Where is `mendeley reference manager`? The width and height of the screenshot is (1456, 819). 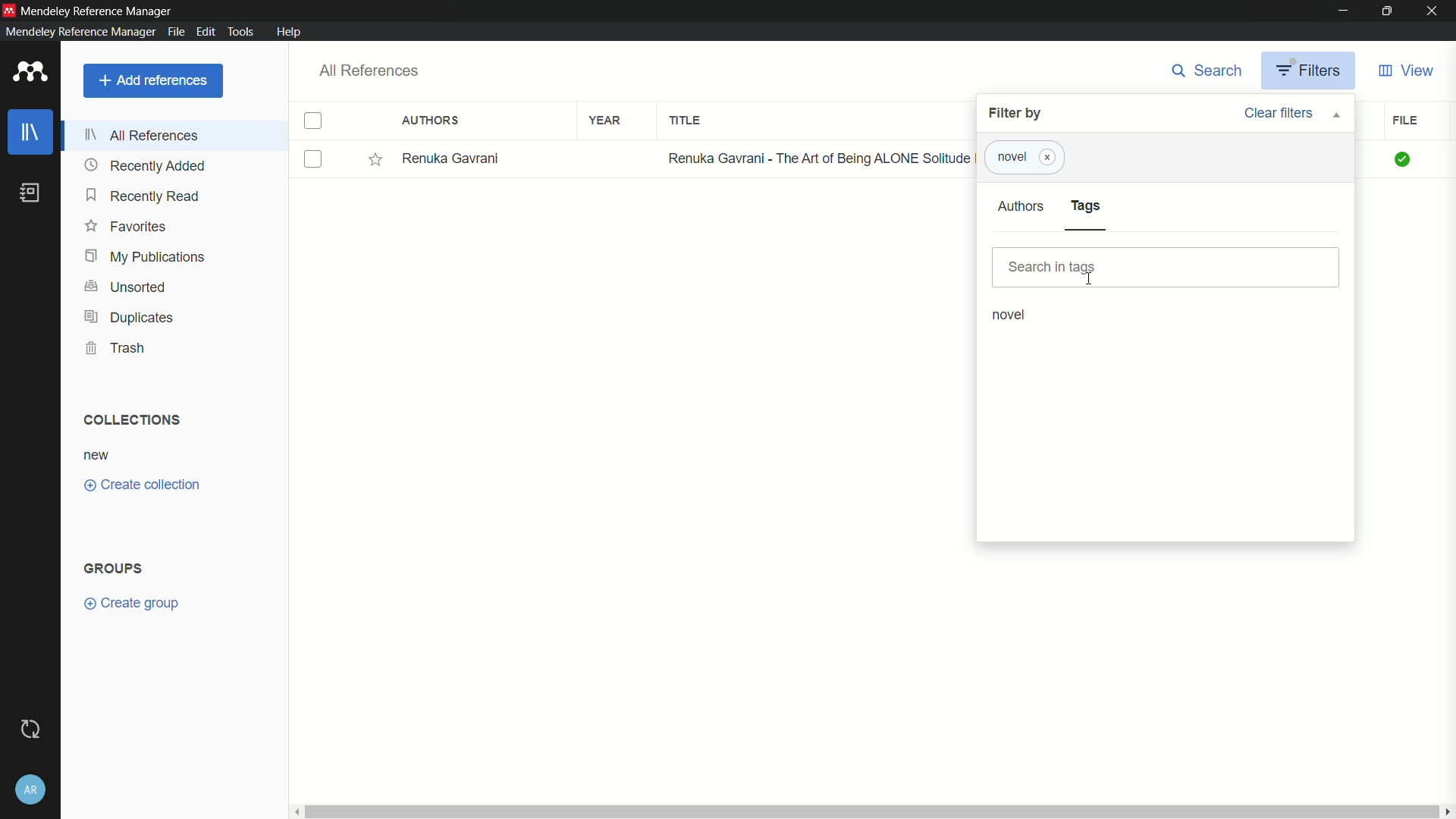
mendeley reference manager is located at coordinates (97, 13).